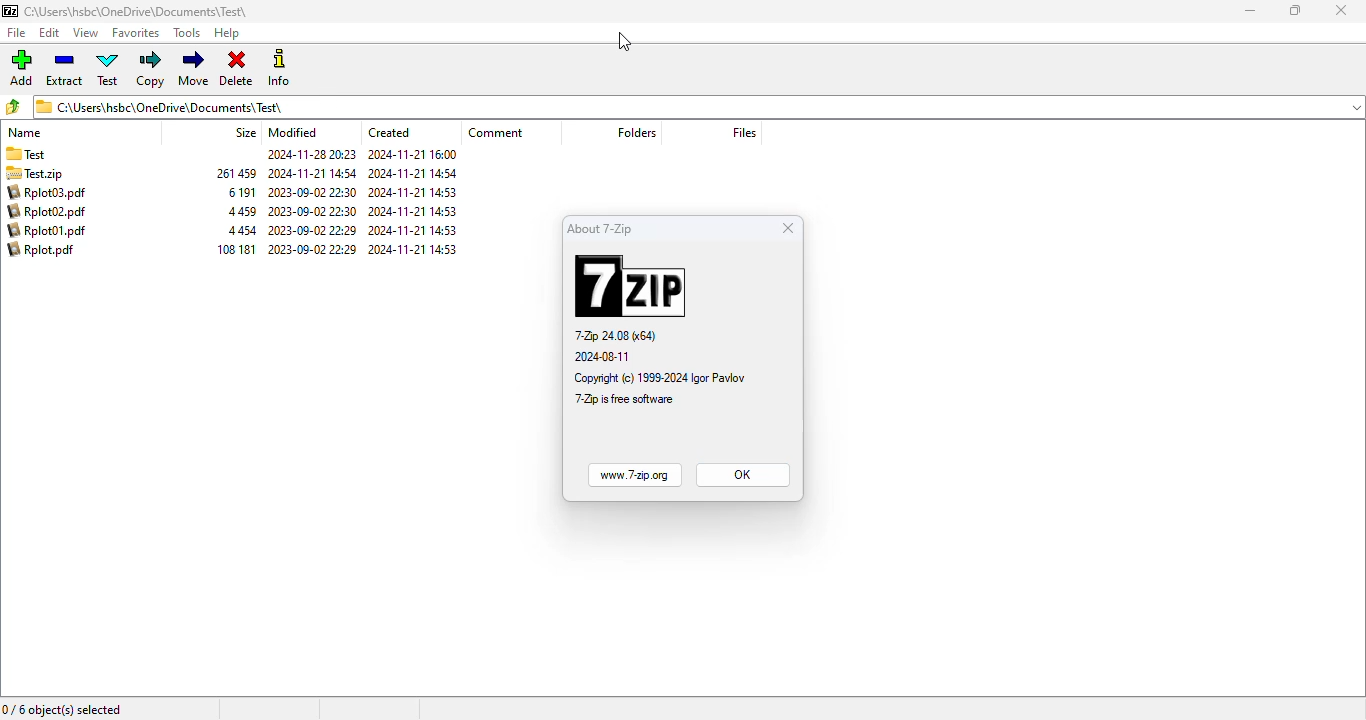 This screenshot has width=1366, height=720. Describe the element at coordinates (624, 399) in the screenshot. I see `7-Zip is free software` at that location.